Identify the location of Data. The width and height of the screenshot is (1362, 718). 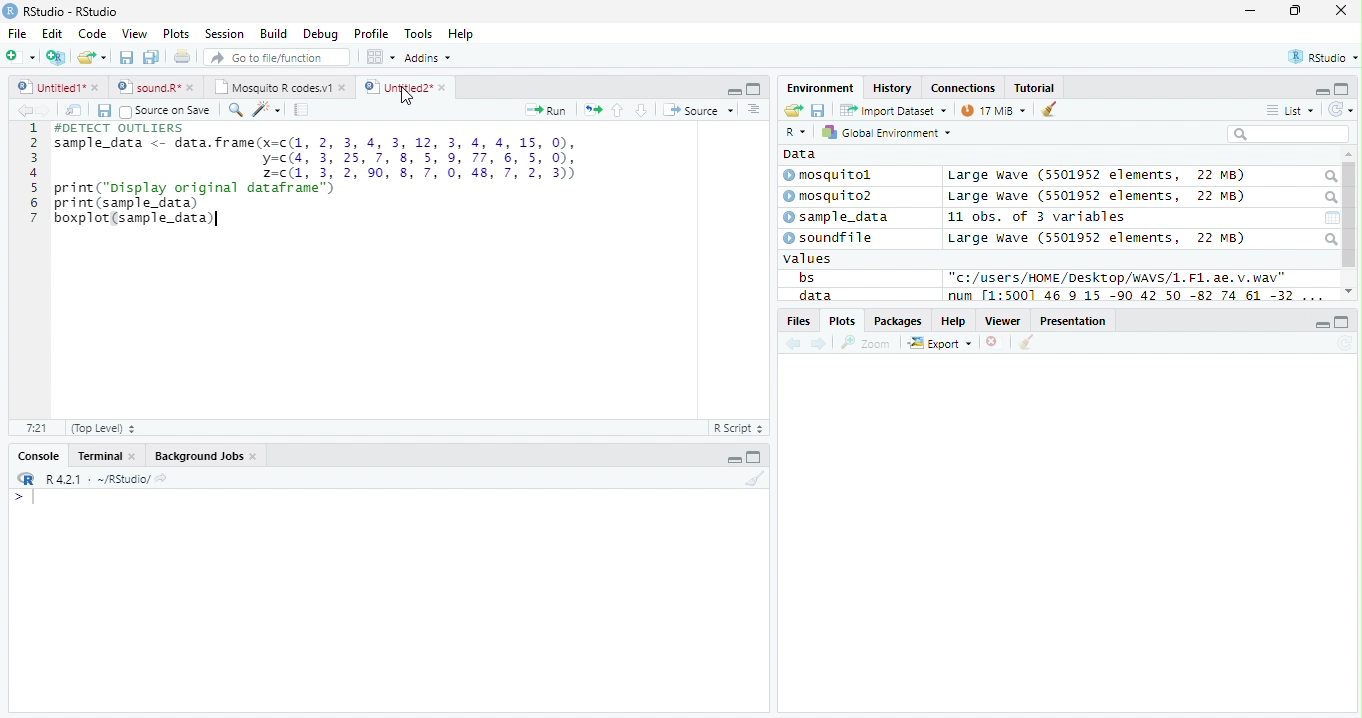
(800, 154).